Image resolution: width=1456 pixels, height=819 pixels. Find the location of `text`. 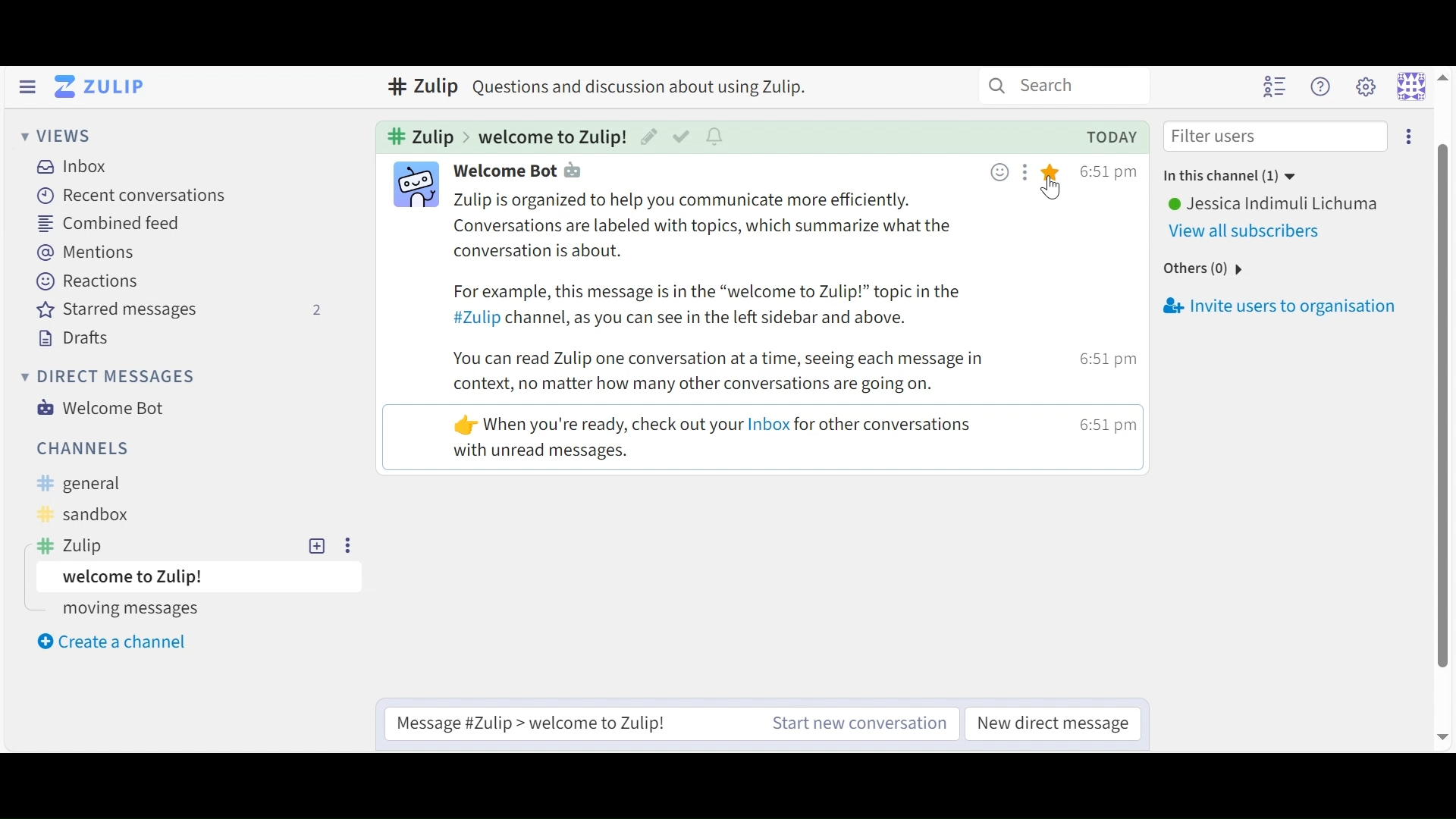

text is located at coordinates (648, 89).